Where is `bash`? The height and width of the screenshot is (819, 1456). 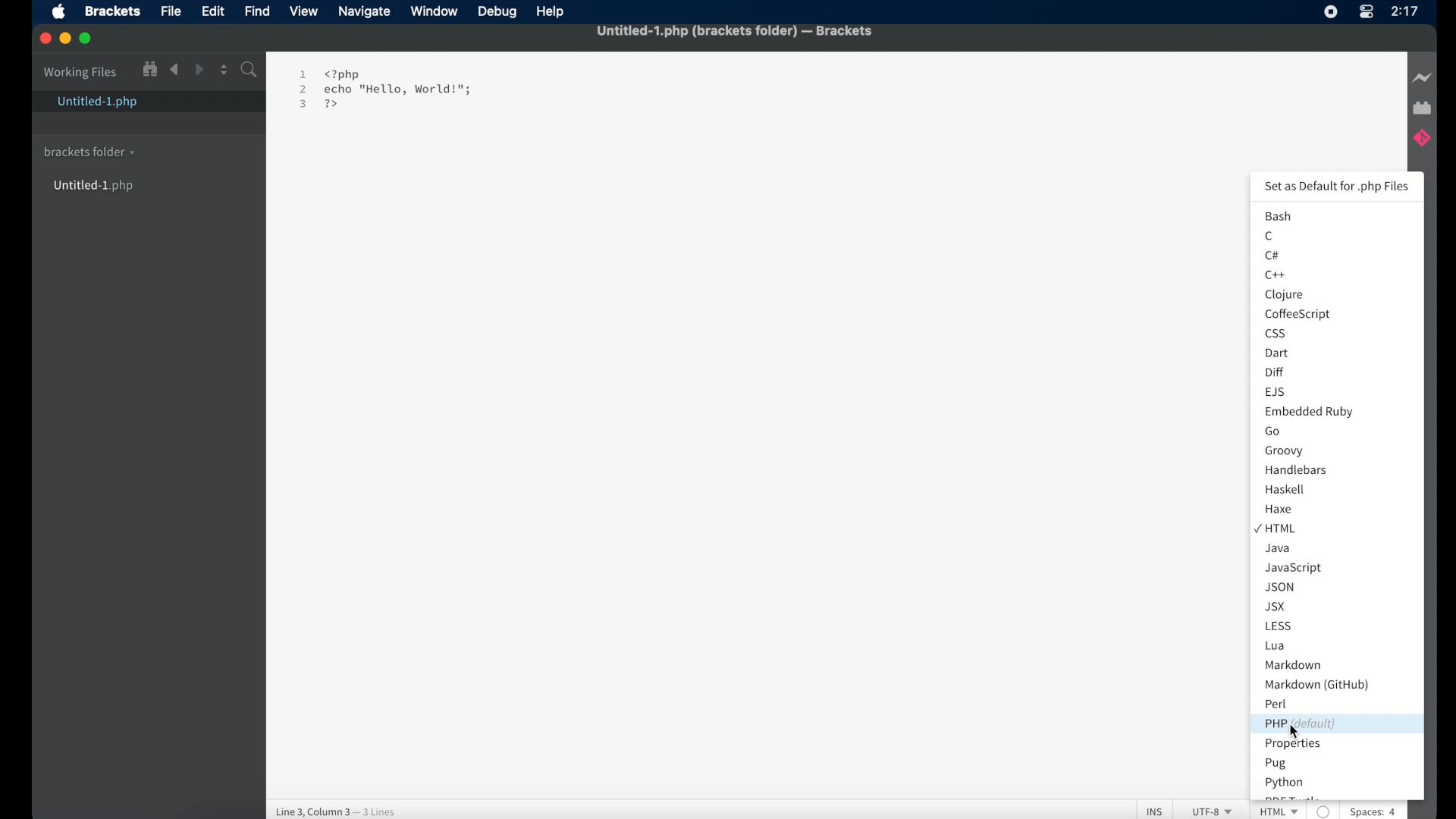
bash is located at coordinates (1280, 217).